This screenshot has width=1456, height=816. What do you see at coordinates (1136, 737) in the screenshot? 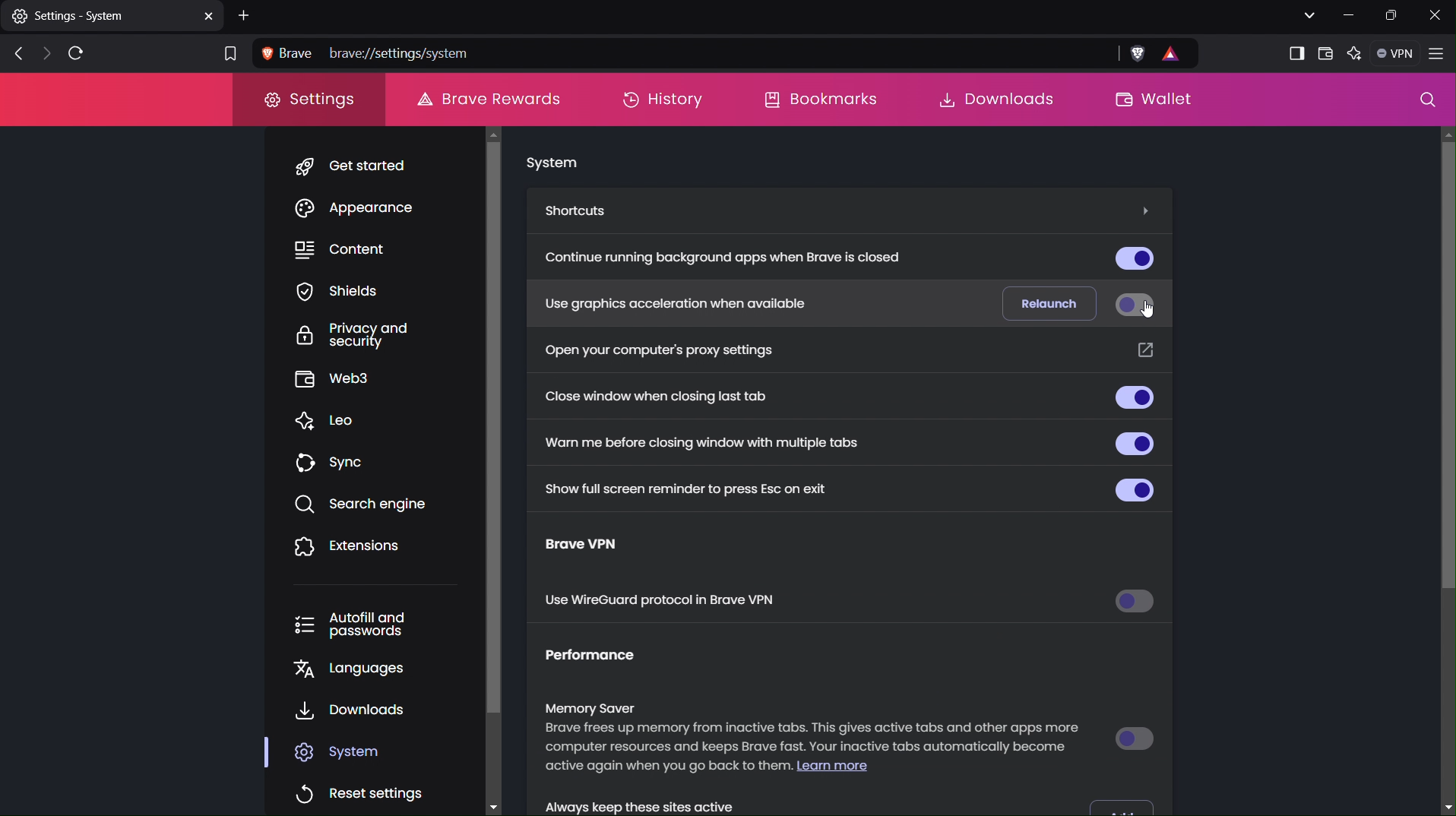
I see `Button` at bounding box center [1136, 737].